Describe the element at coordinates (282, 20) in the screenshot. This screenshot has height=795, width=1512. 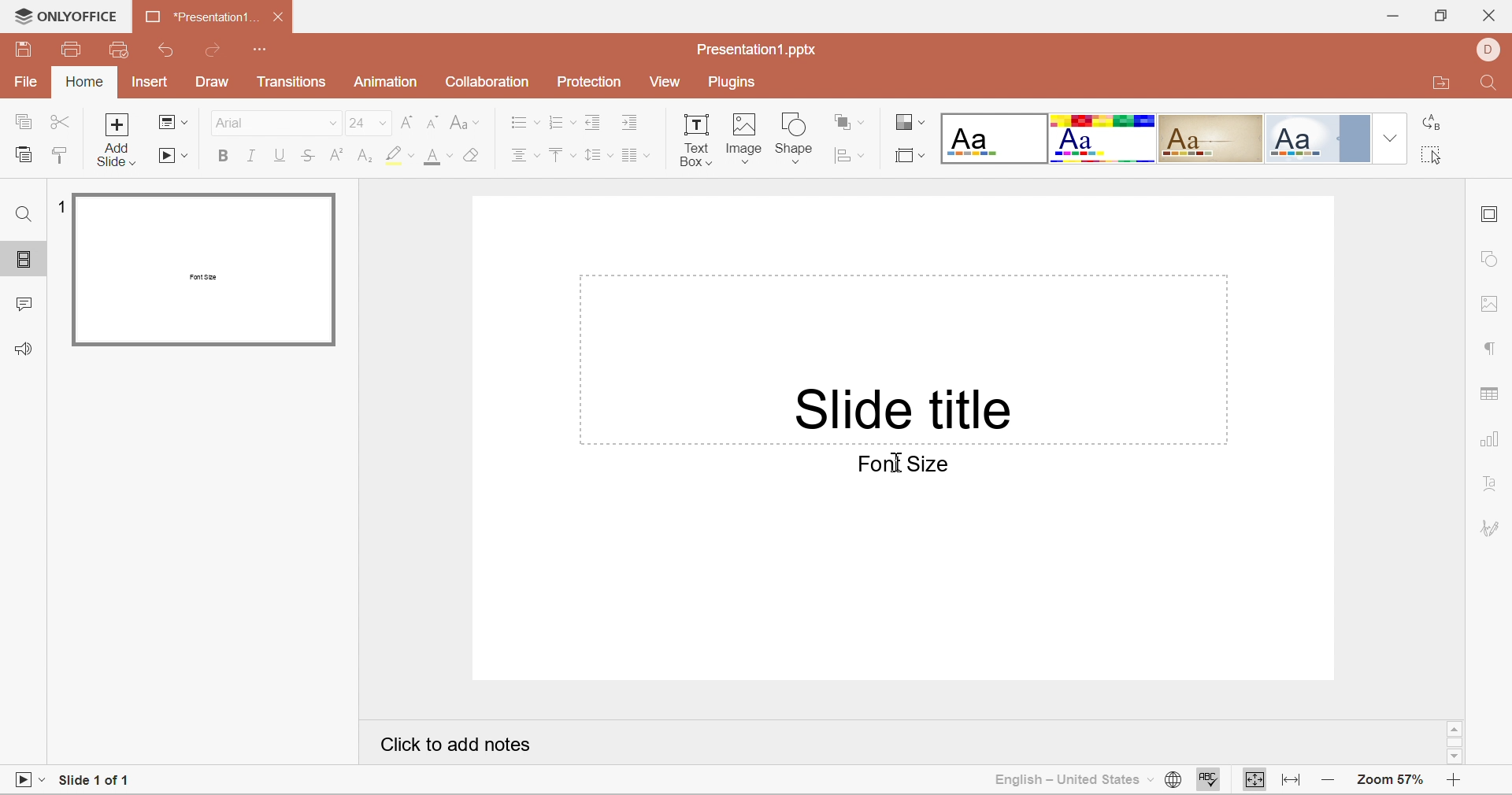
I see `Close` at that location.